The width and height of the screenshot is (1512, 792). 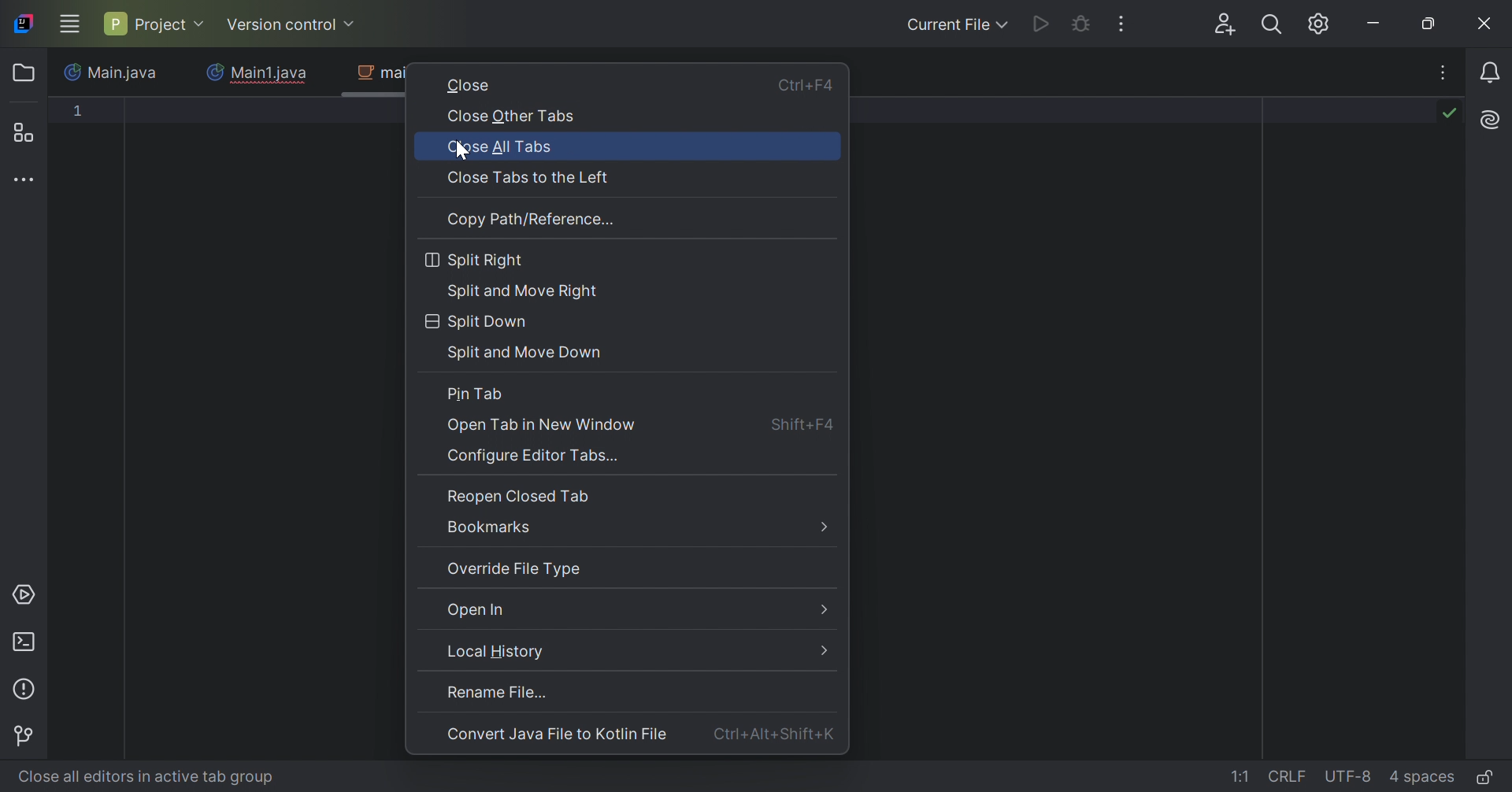 I want to click on Close all tabs, so click(x=503, y=149).